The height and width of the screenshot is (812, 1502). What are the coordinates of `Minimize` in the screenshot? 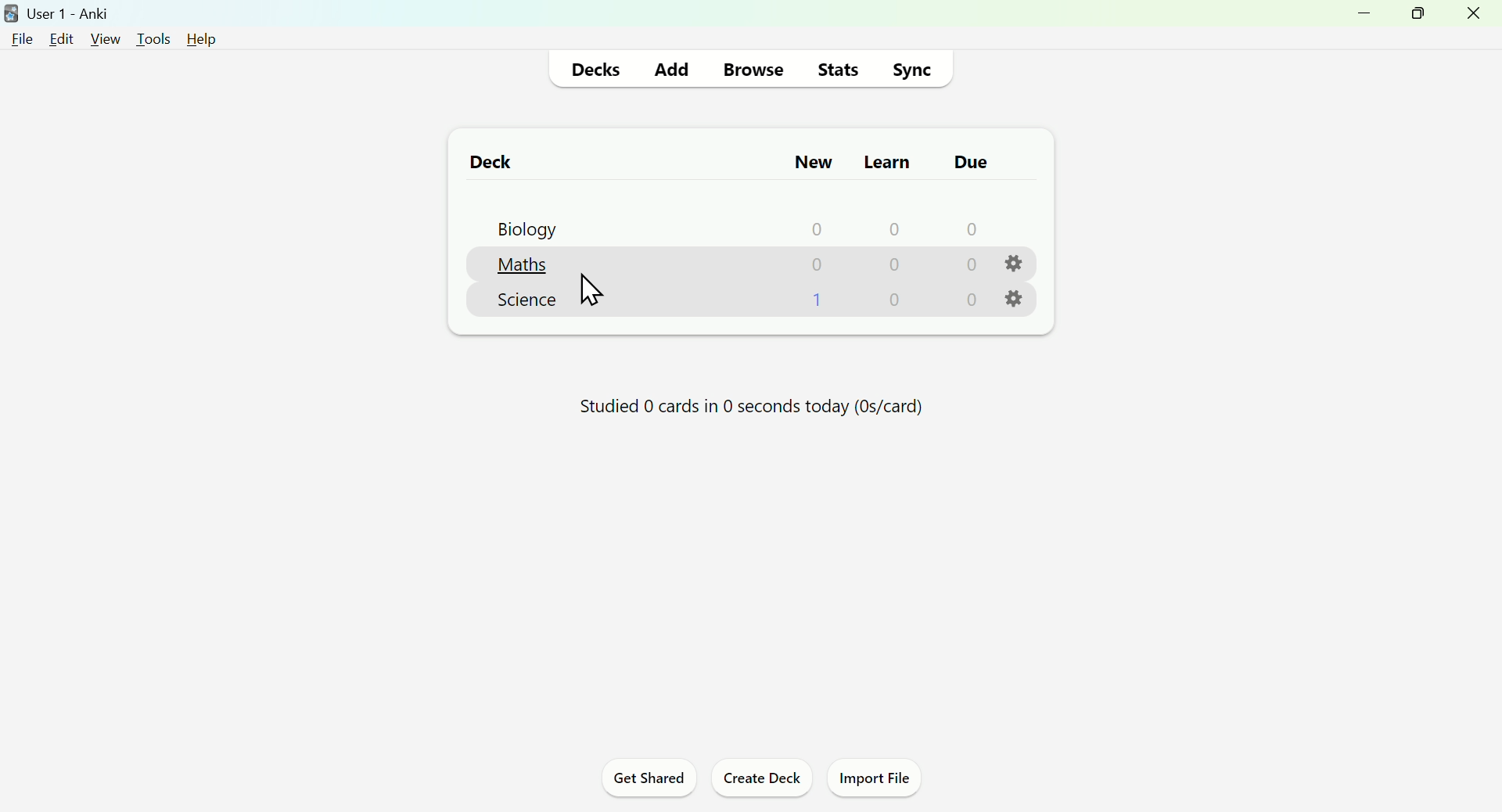 It's located at (1359, 20).